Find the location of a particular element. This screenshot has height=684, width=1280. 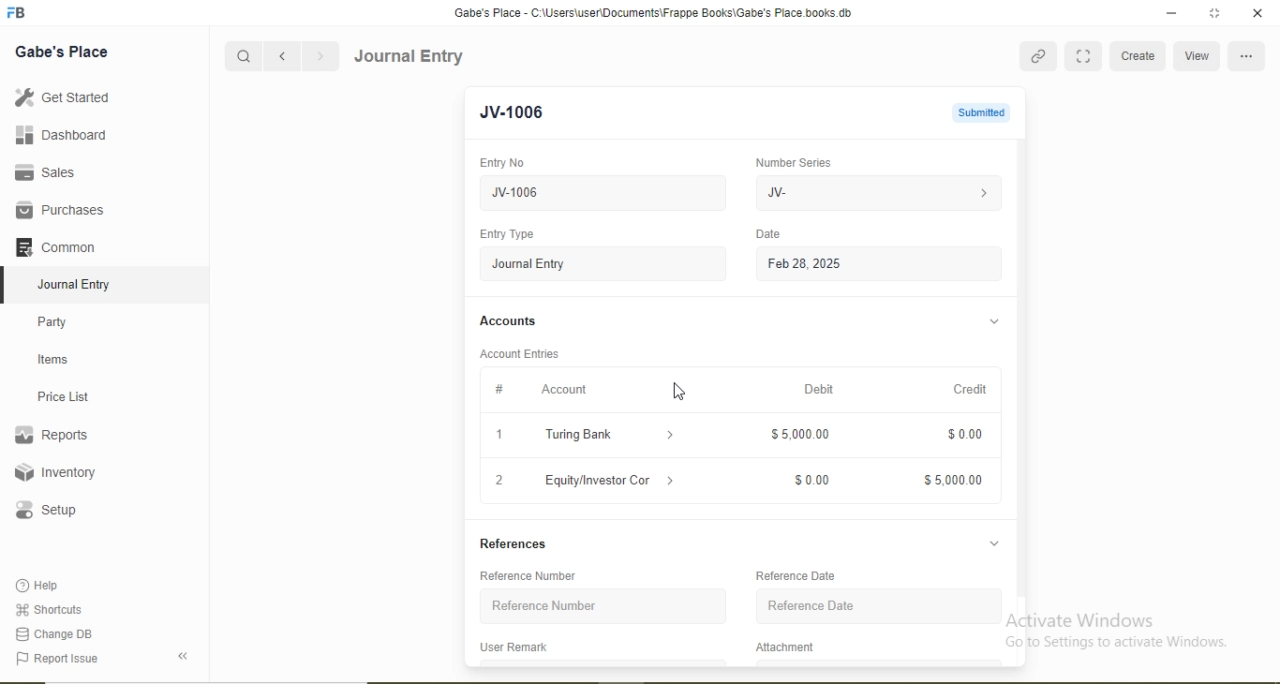

Dropdown is located at coordinates (995, 322).